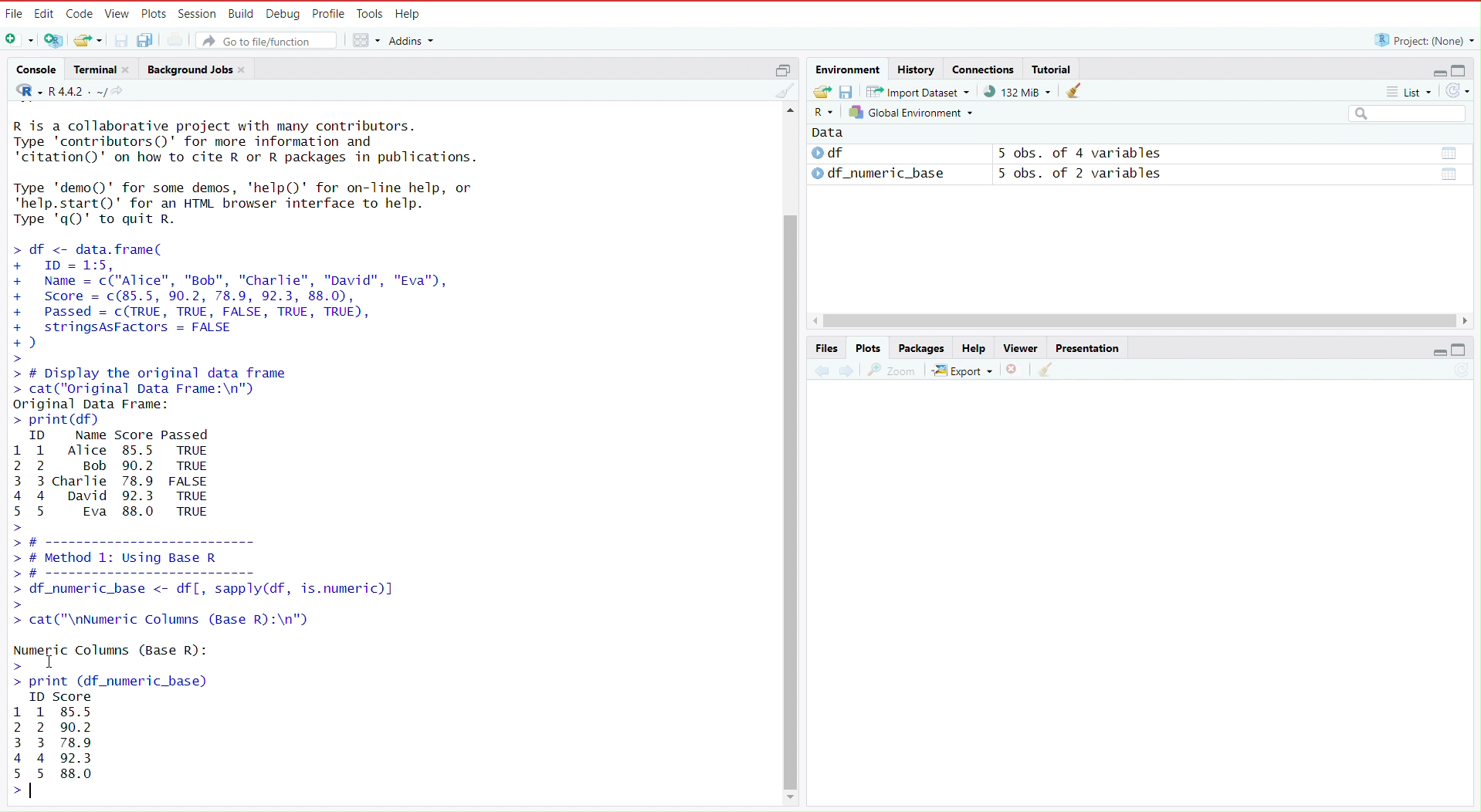  I want to click on > print(df), so click(93, 421).